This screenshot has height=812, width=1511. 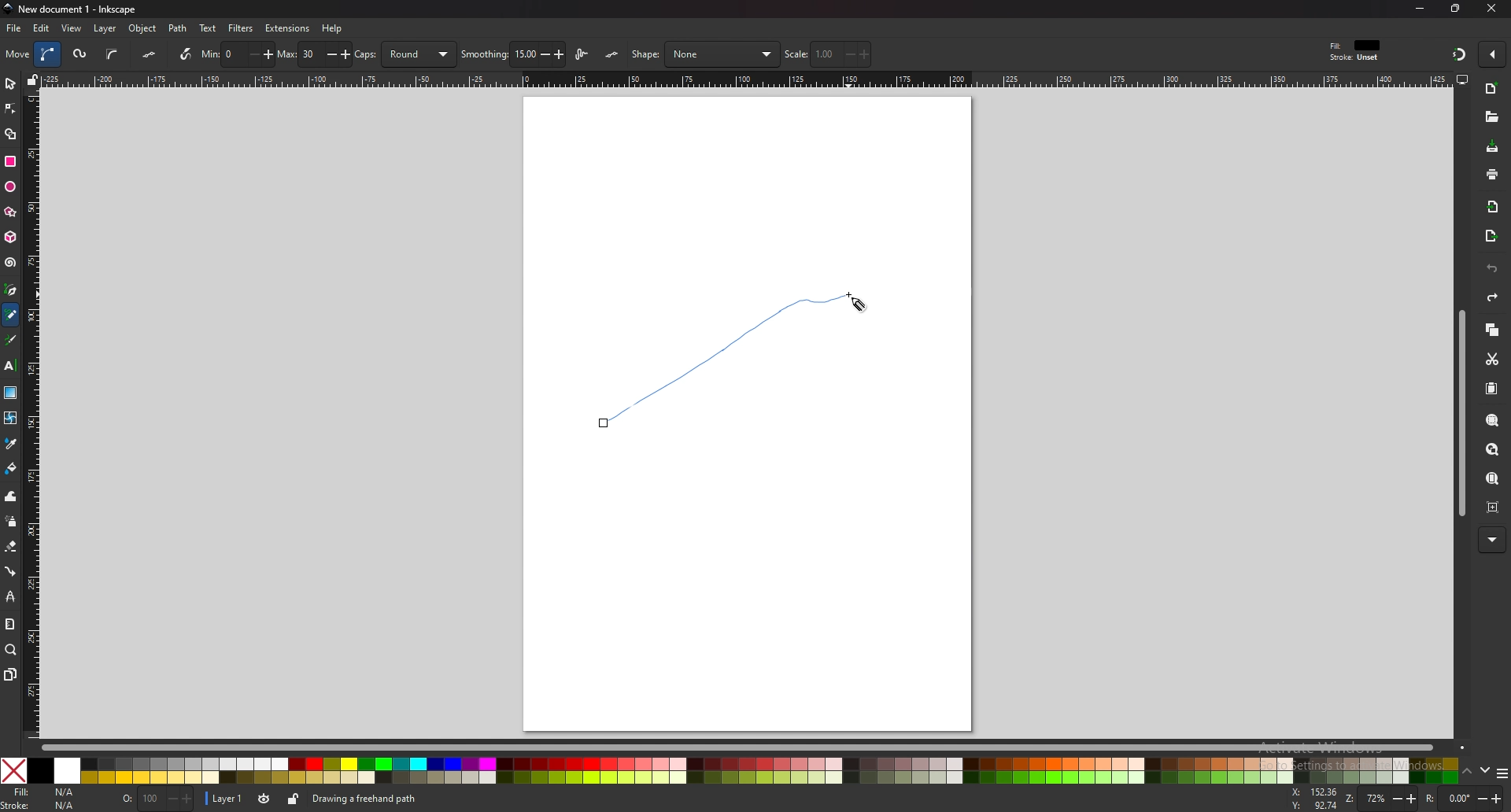 I want to click on layer, so click(x=226, y=798).